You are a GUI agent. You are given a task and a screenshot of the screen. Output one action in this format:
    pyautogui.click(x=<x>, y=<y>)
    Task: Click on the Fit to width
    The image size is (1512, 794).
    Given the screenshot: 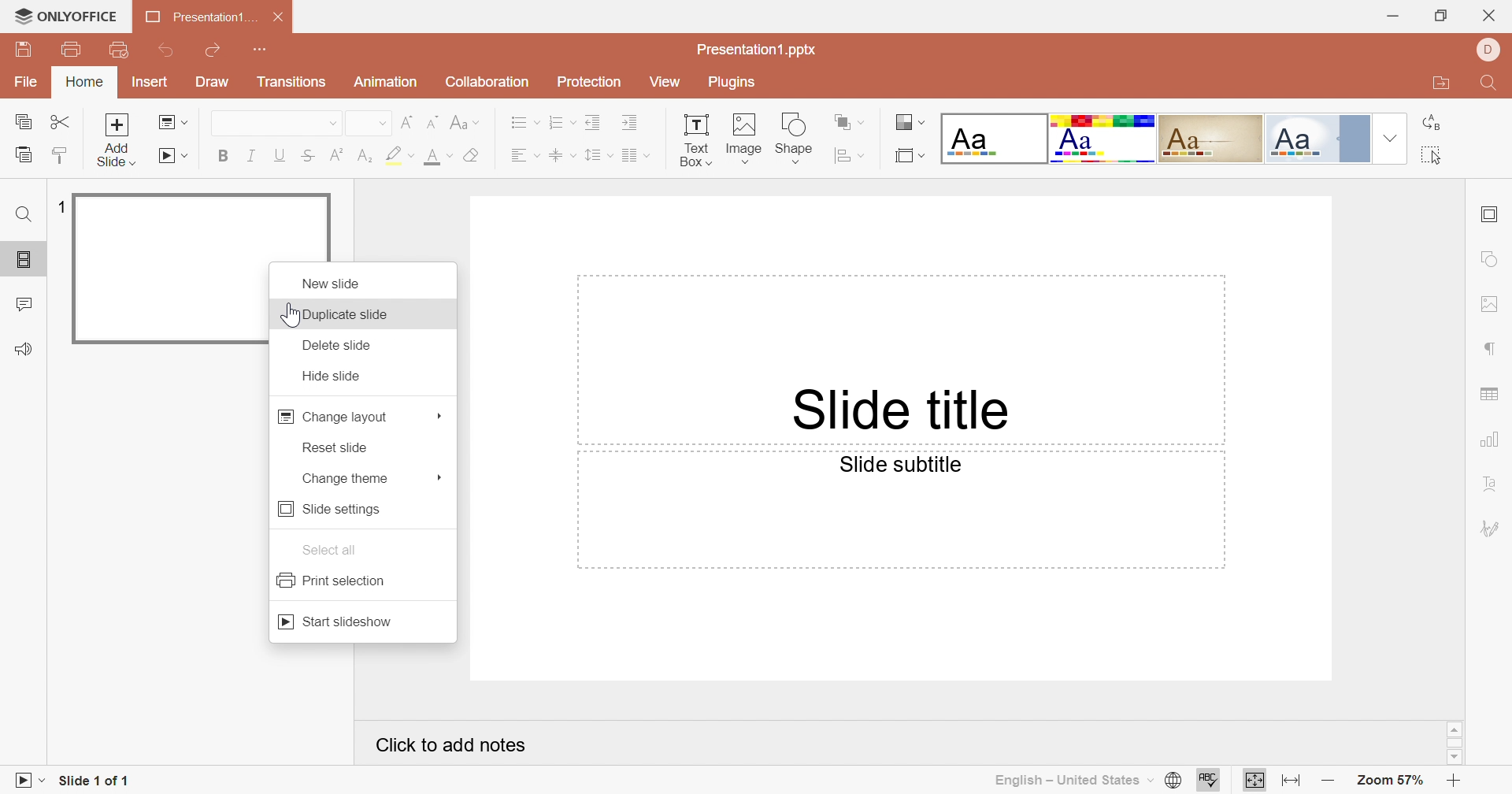 What is the action you would take?
    pyautogui.click(x=1294, y=780)
    